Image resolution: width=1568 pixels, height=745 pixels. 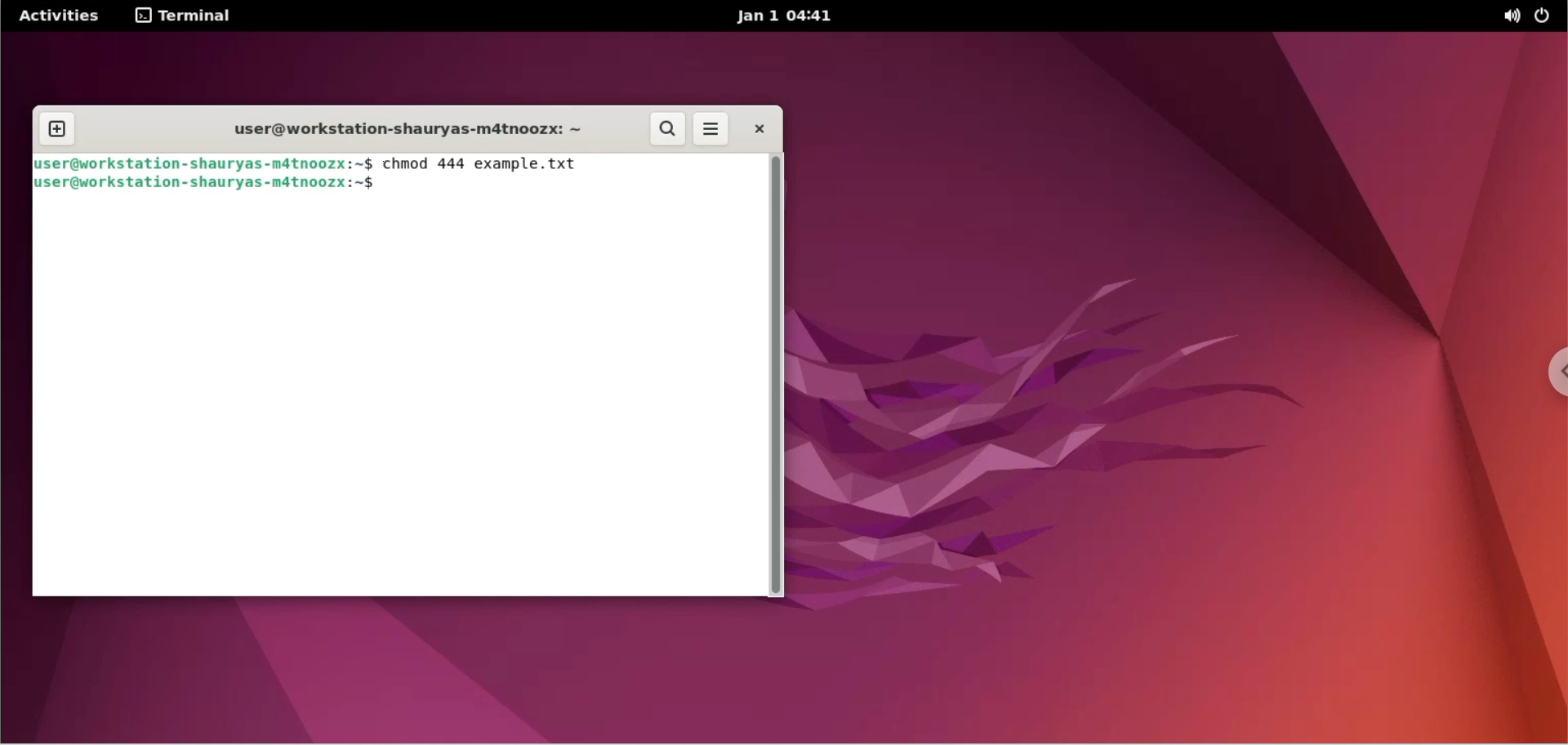 I want to click on terminal, so click(x=182, y=17).